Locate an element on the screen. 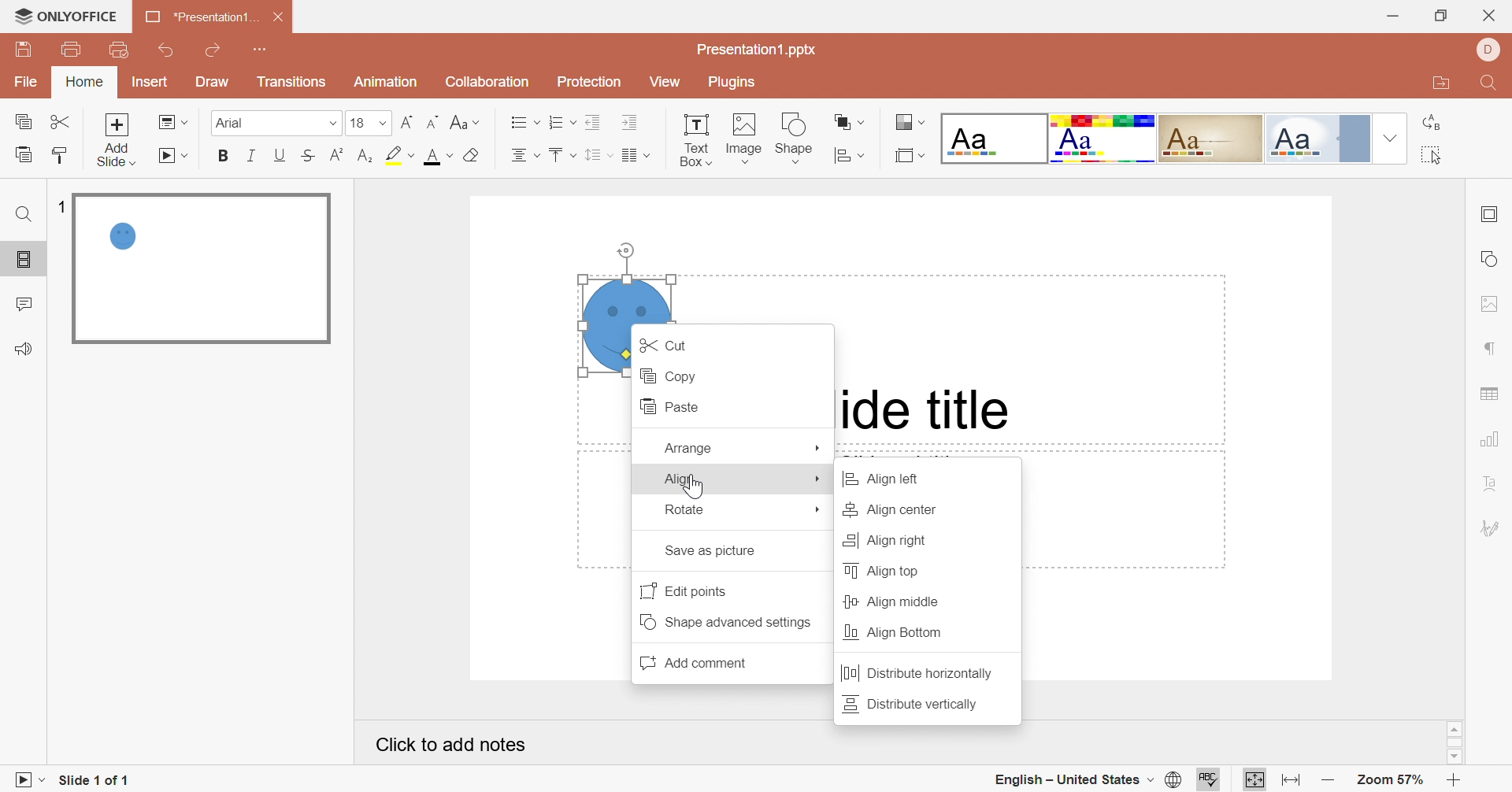  Start slideshow is located at coordinates (23, 779).